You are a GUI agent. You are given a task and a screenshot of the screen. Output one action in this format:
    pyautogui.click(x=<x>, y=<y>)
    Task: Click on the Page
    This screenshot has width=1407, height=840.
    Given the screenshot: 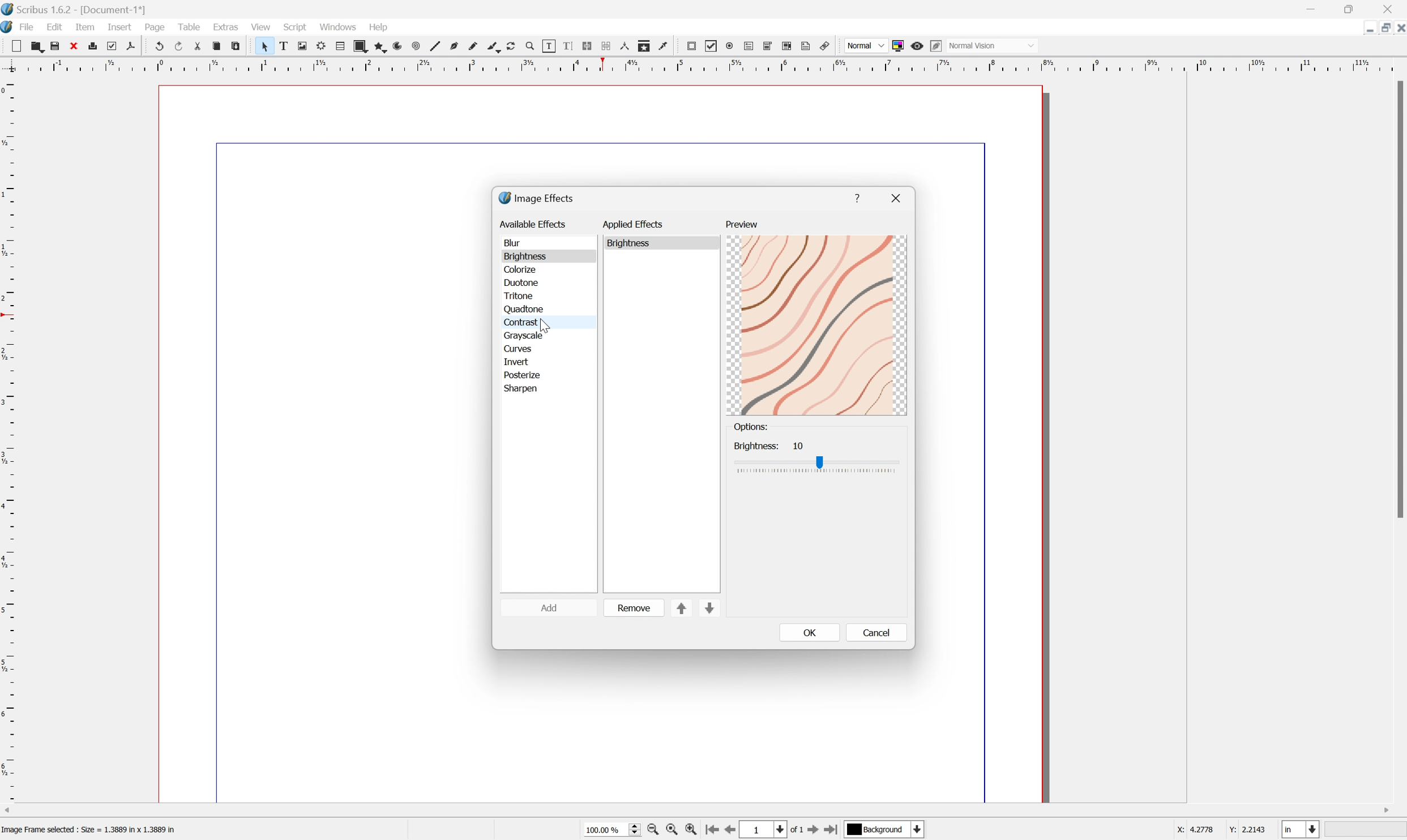 What is the action you would take?
    pyautogui.click(x=155, y=27)
    